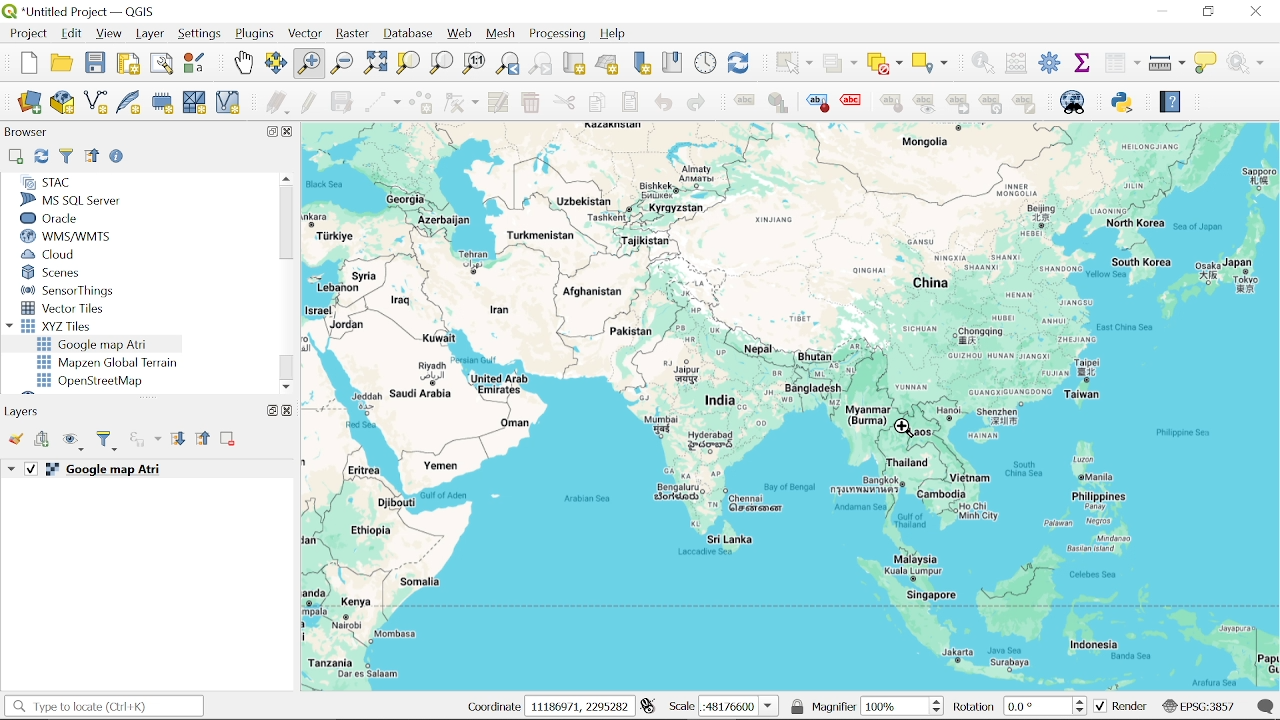 The image size is (1280, 720). What do you see at coordinates (64, 308) in the screenshot?
I see `Vector tiles` at bounding box center [64, 308].